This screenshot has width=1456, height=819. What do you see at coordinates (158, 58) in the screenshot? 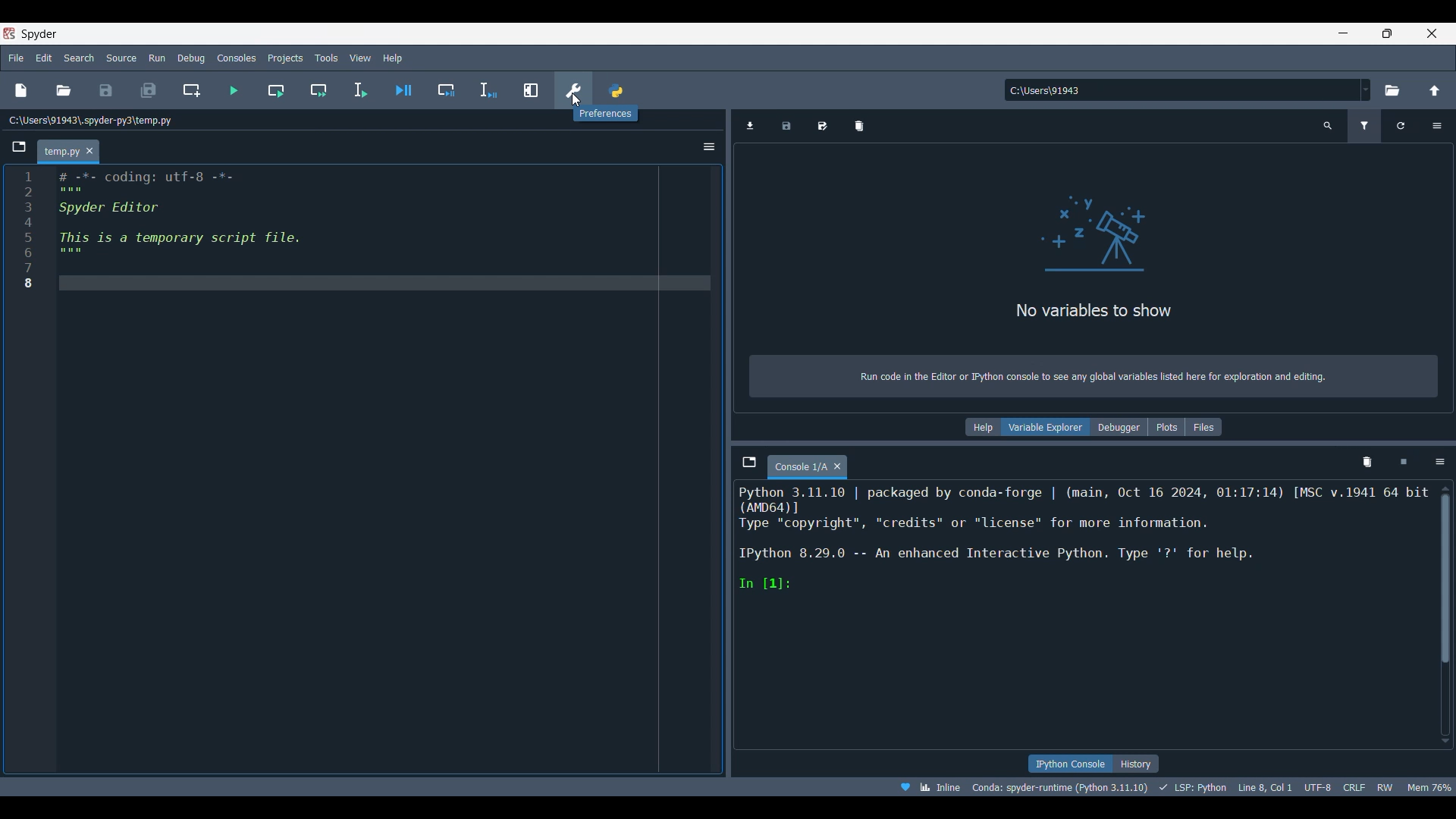
I see `Run menu` at bounding box center [158, 58].